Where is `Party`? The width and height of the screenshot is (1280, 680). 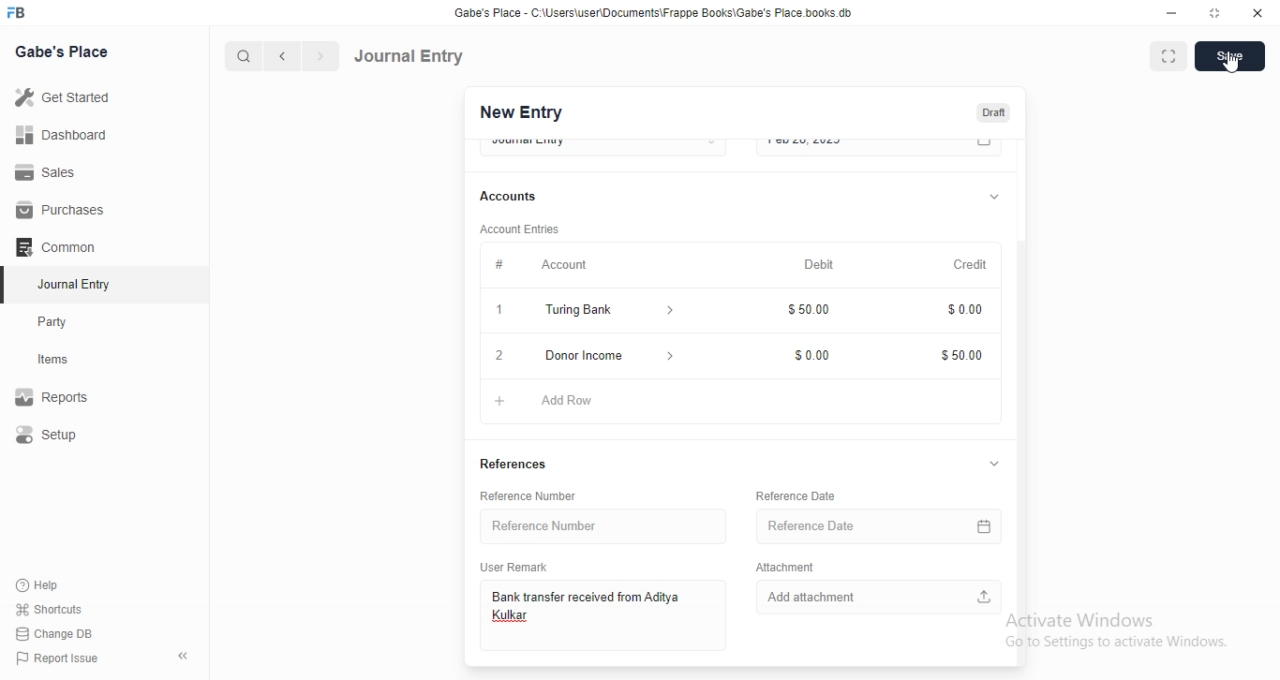
Party is located at coordinates (66, 322).